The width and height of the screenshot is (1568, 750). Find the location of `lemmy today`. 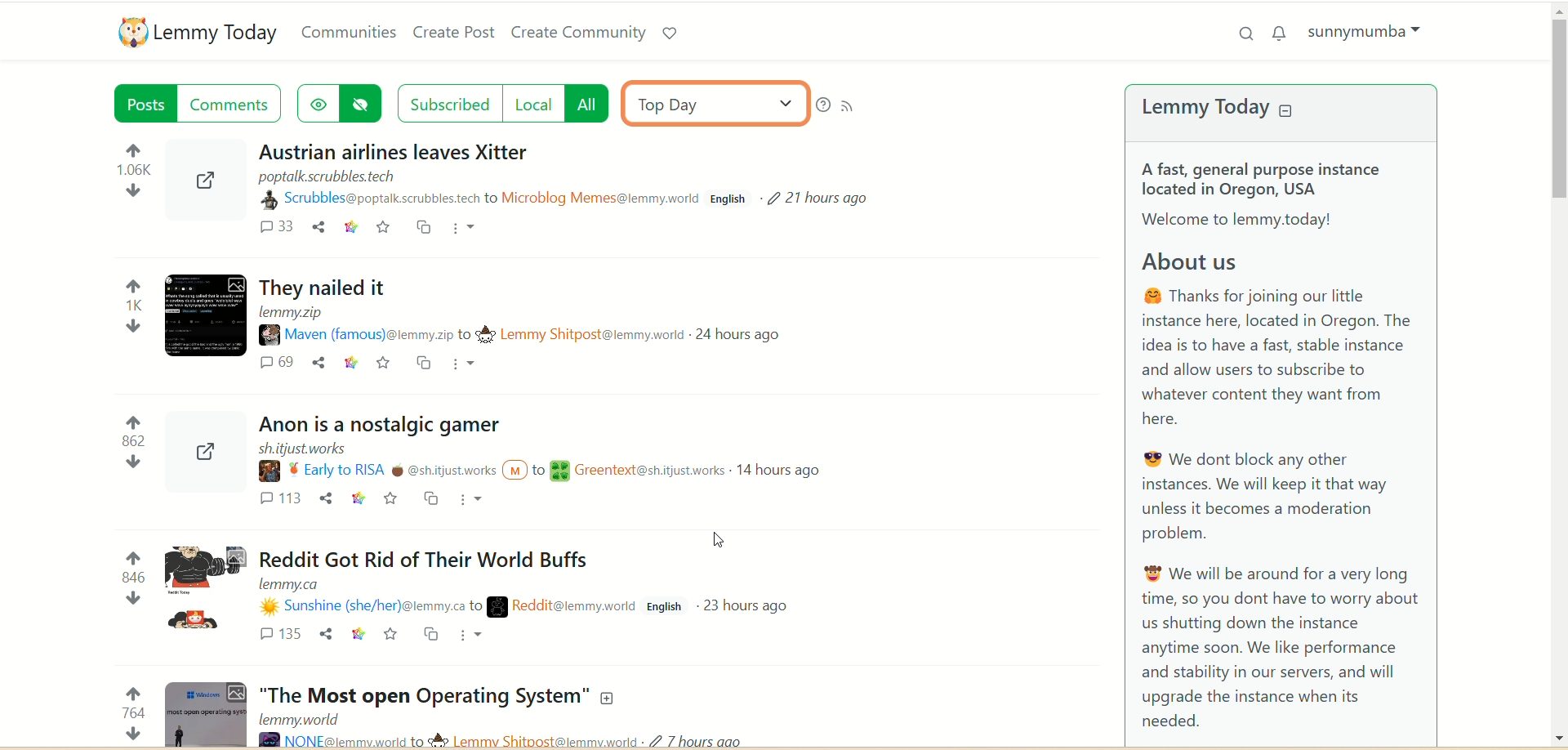

lemmy today is located at coordinates (1231, 110).